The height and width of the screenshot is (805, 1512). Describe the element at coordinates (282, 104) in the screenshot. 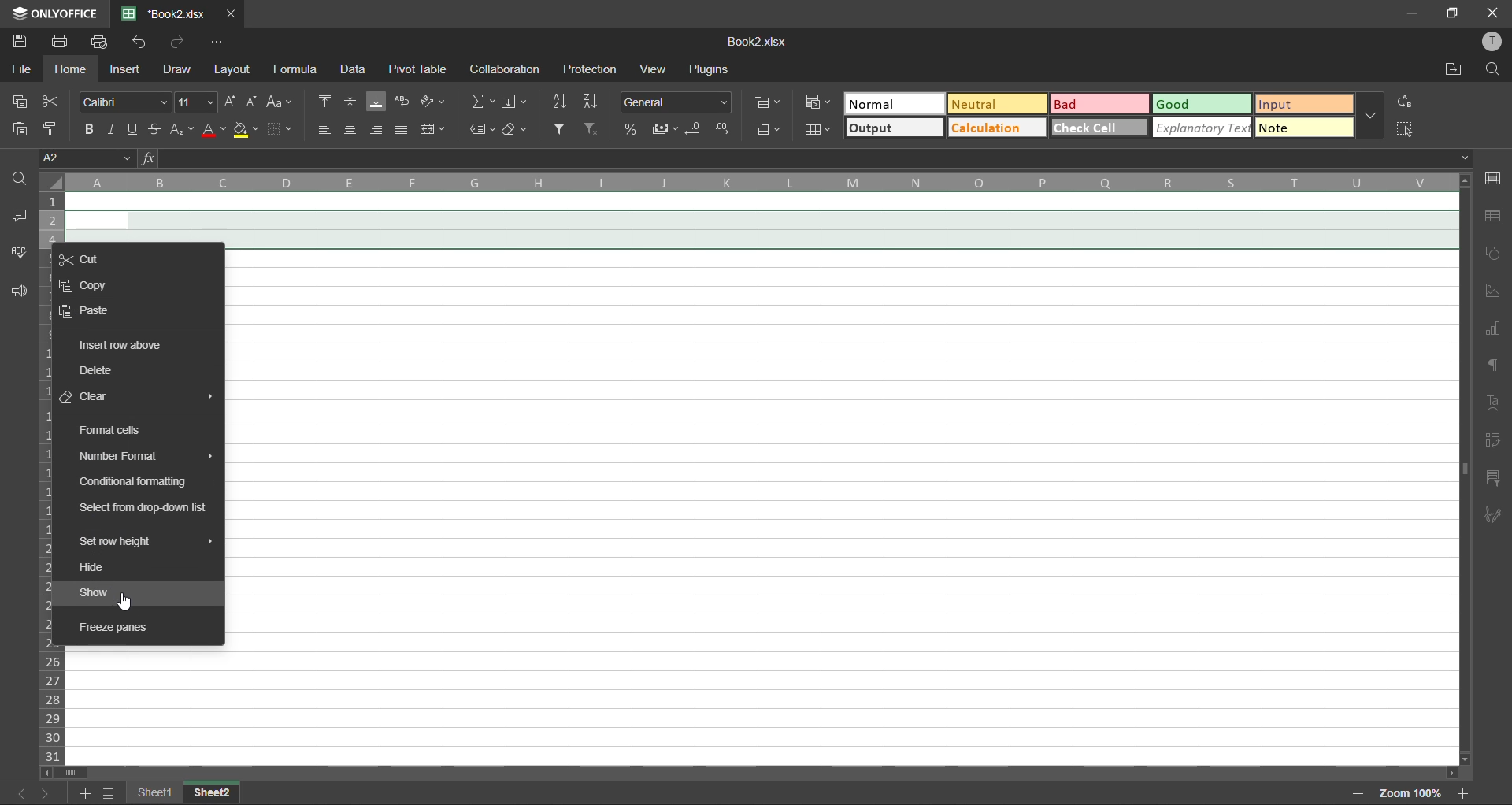

I see `change case` at that location.